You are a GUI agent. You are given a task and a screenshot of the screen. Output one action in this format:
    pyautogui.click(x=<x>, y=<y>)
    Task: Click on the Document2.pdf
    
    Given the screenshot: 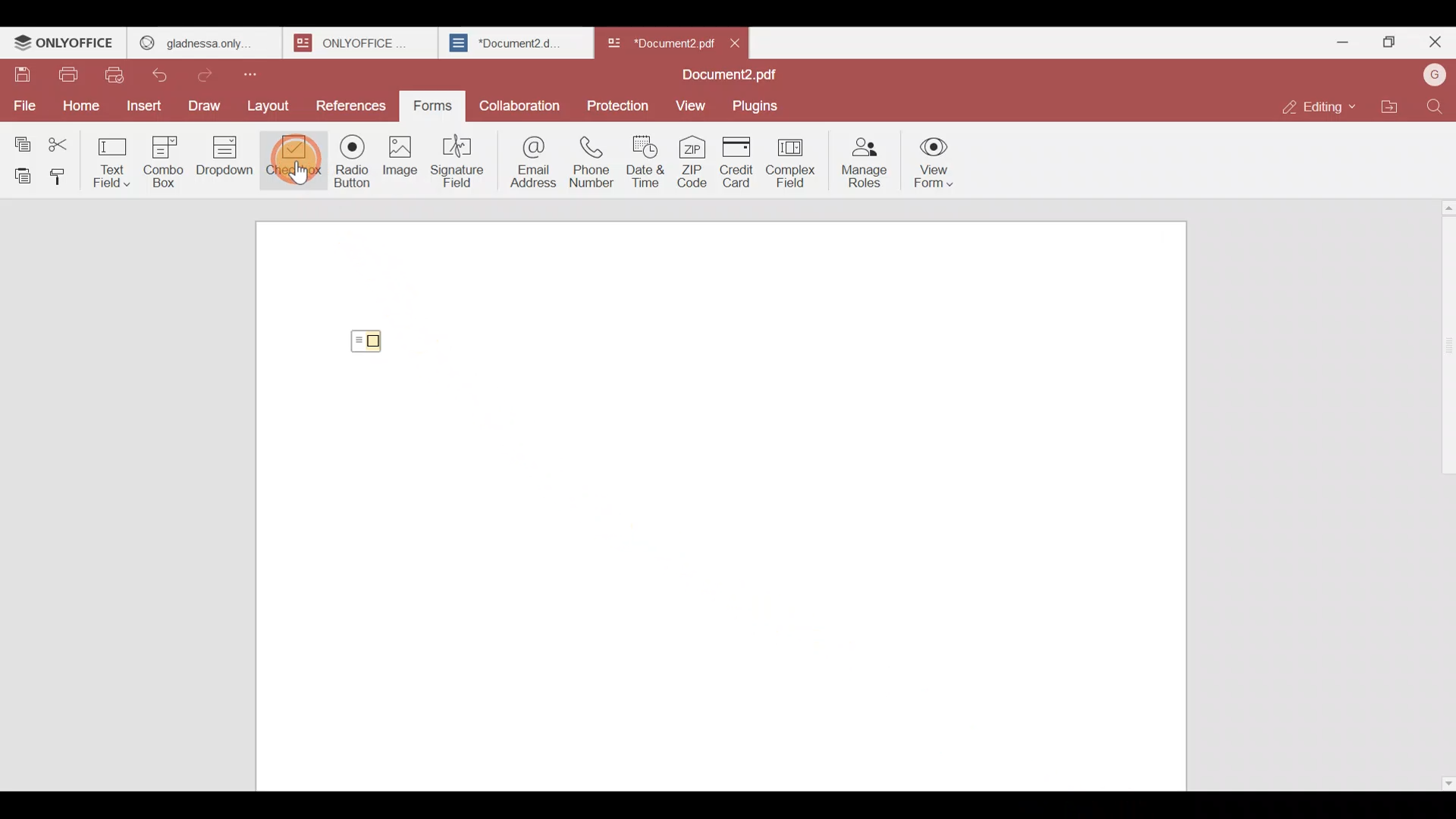 What is the action you would take?
    pyautogui.click(x=725, y=77)
    